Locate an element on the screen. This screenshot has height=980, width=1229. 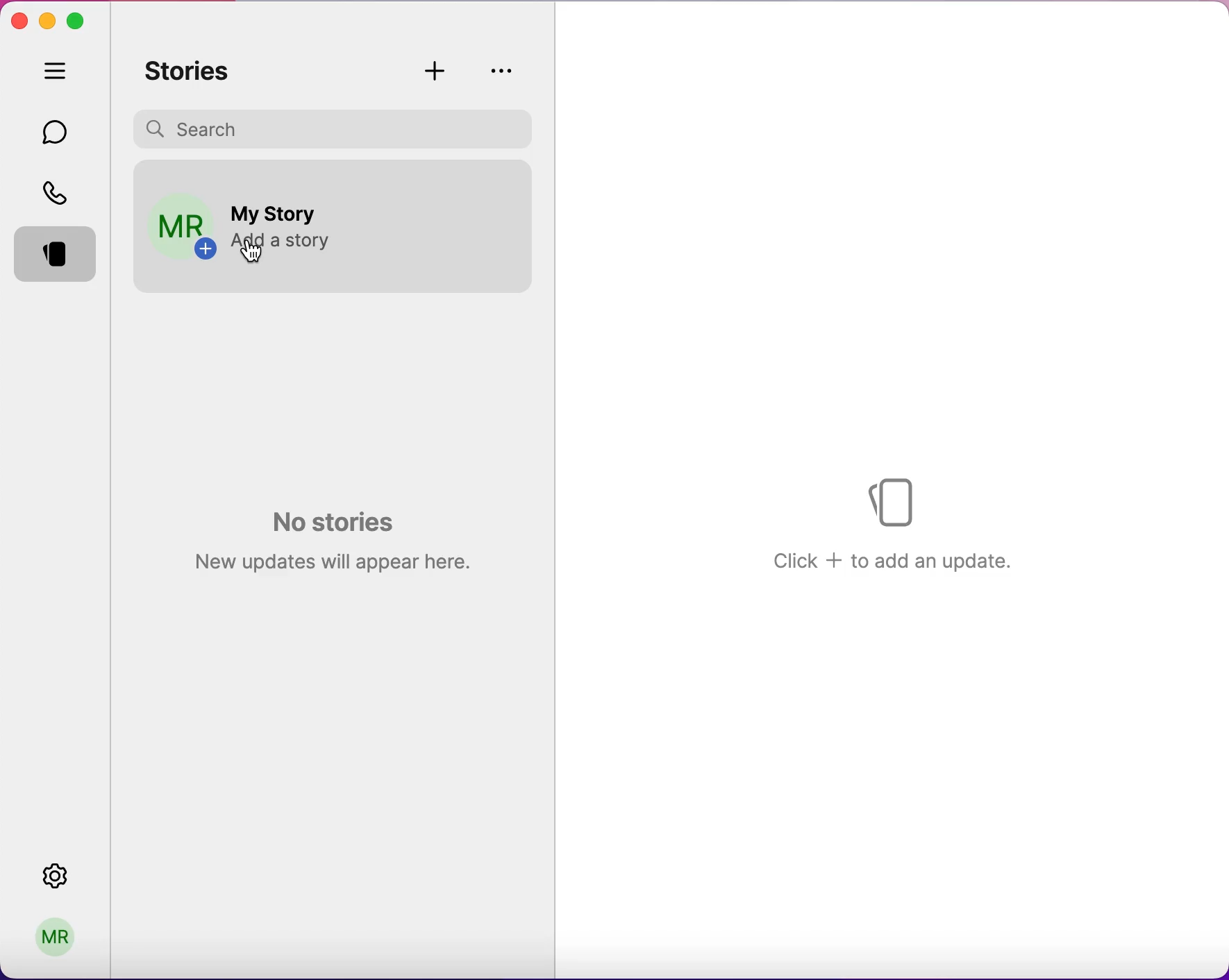
close is located at coordinates (19, 22).